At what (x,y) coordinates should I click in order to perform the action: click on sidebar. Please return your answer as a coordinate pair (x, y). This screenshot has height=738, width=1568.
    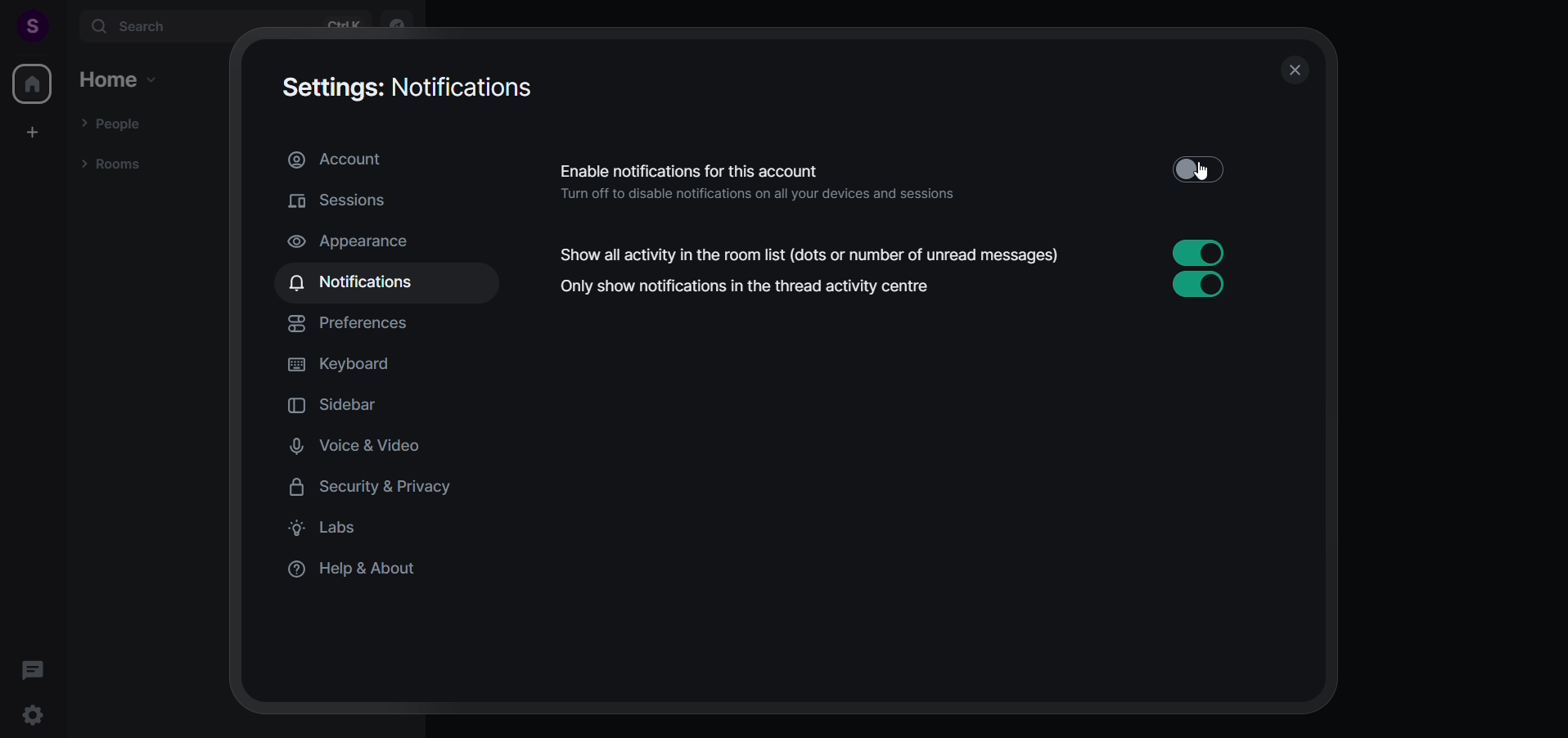
    Looking at the image, I should click on (346, 407).